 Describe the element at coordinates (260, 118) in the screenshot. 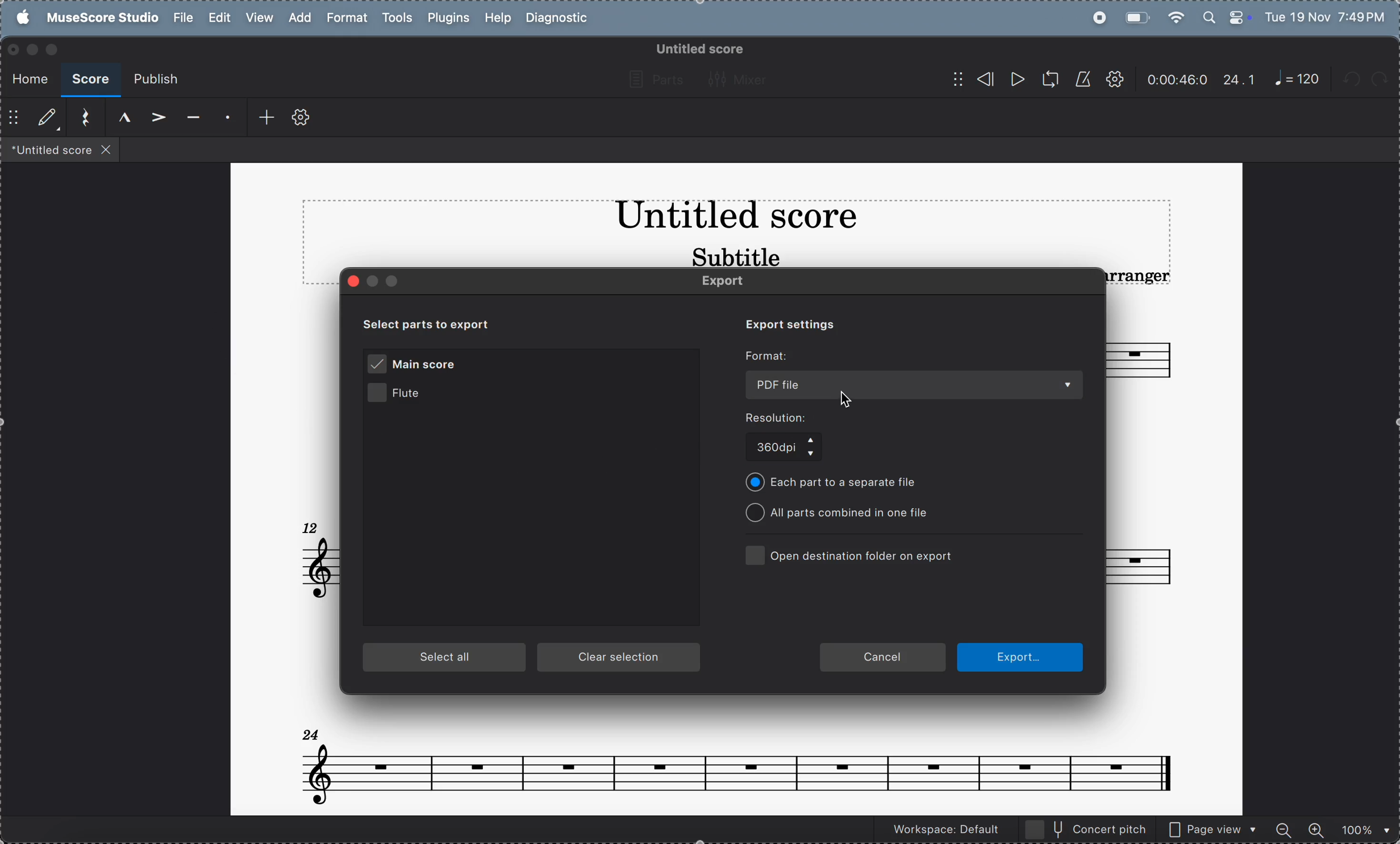

I see `add` at that location.